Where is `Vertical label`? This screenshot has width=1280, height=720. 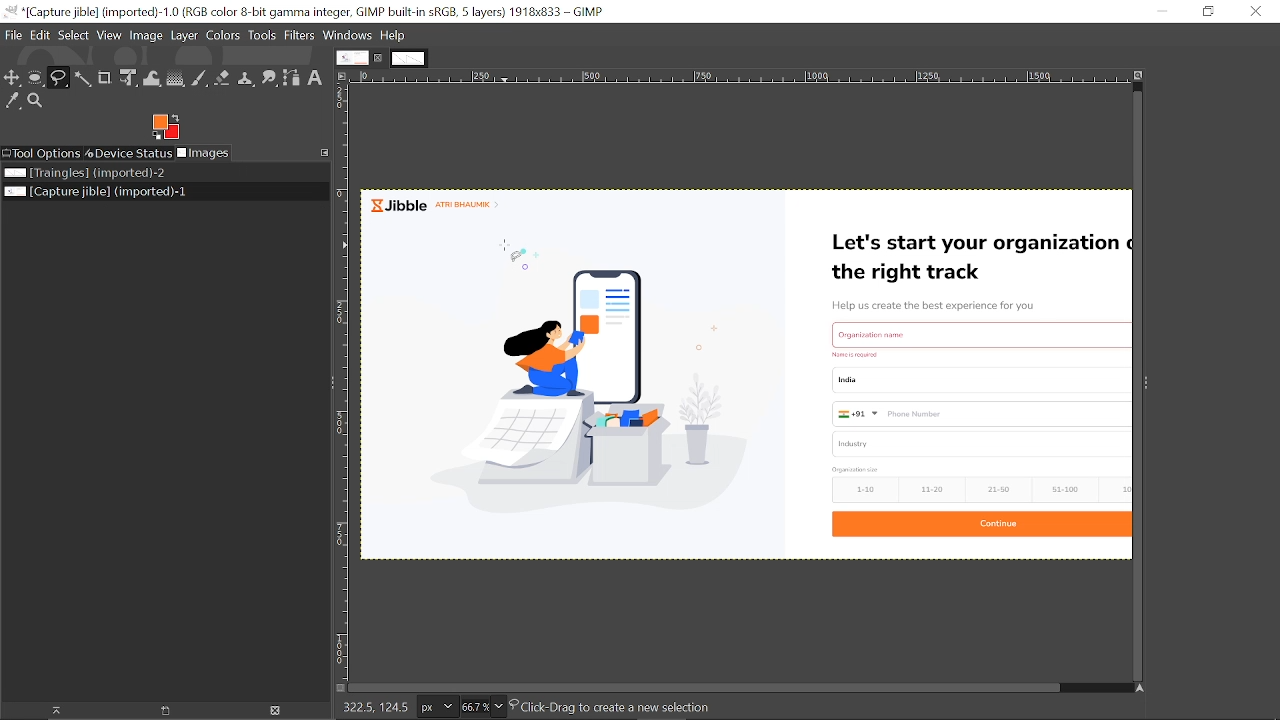
Vertical label is located at coordinates (344, 381).